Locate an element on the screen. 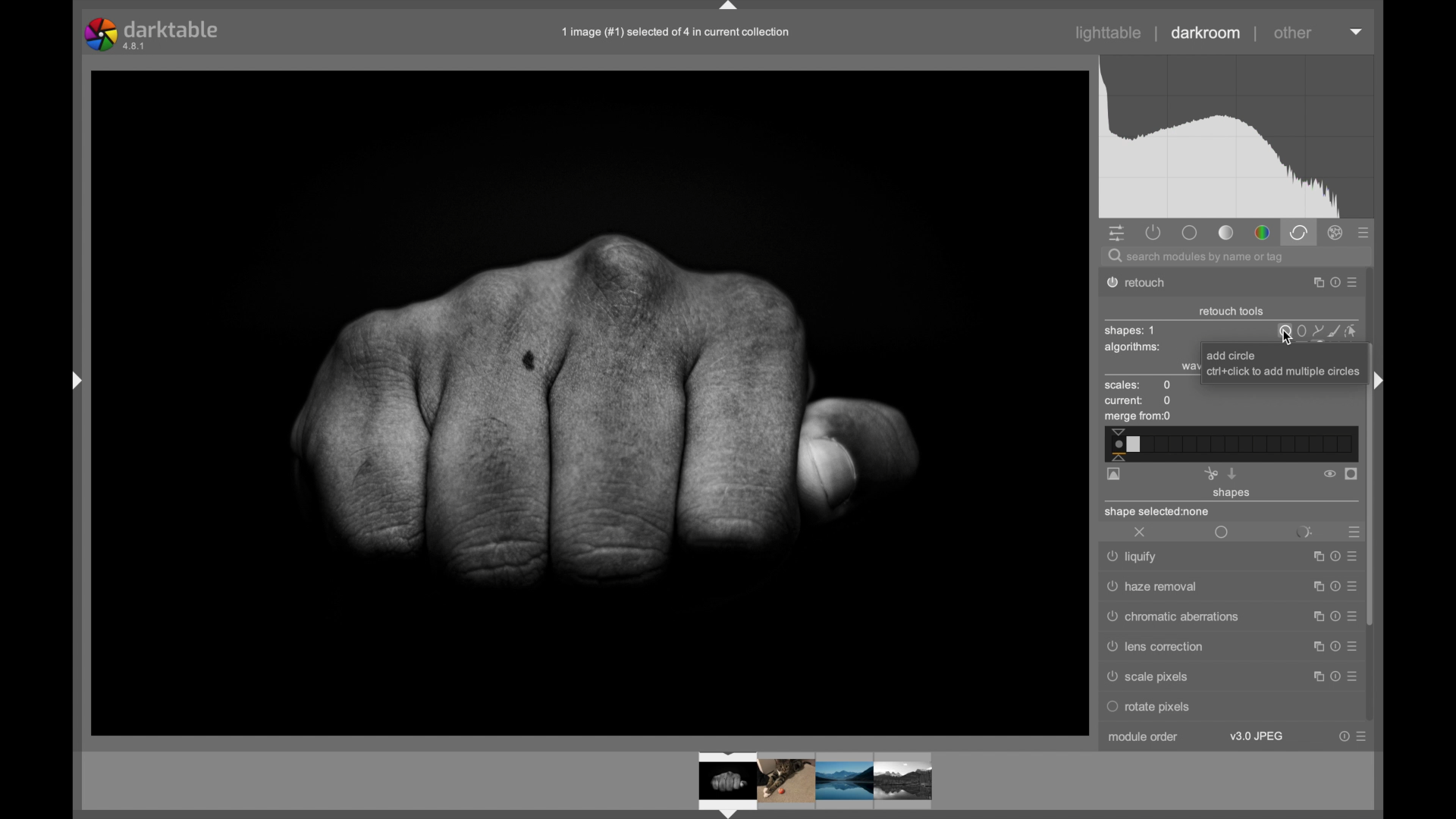  draw mask options is located at coordinates (1318, 331).